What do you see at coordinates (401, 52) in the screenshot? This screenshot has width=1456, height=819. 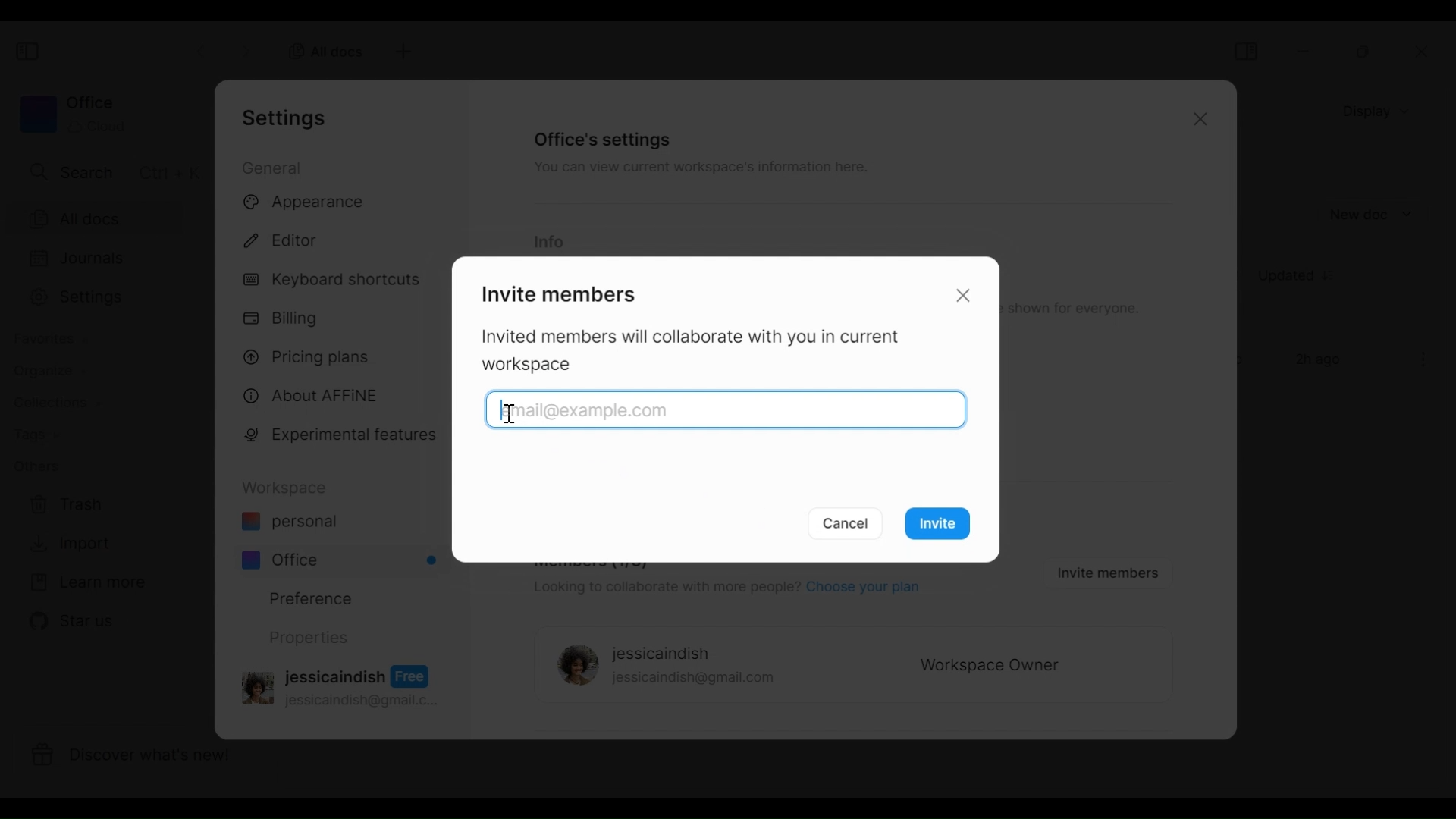 I see `Add` at bounding box center [401, 52].